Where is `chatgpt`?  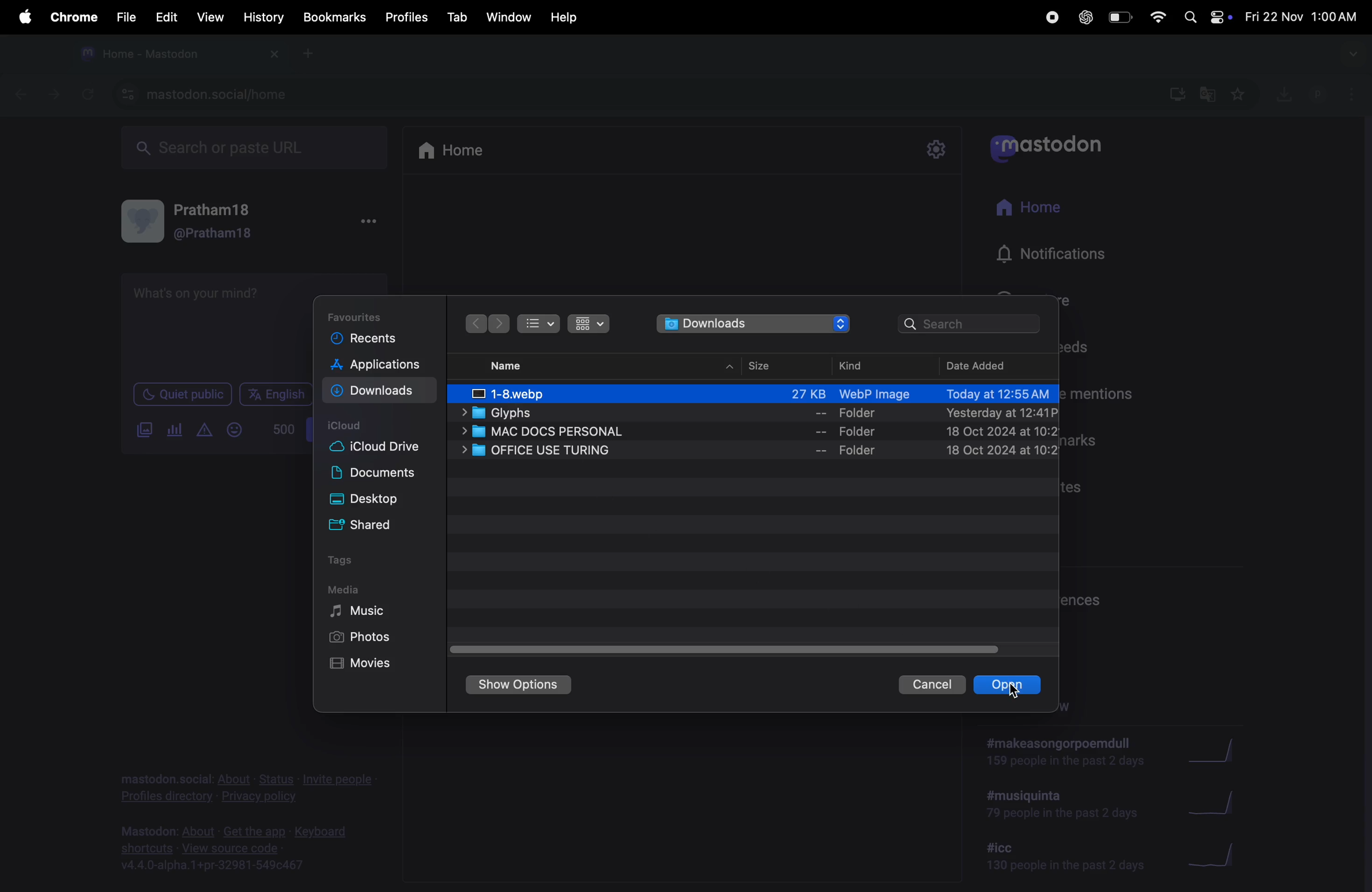
chatgpt is located at coordinates (1085, 17).